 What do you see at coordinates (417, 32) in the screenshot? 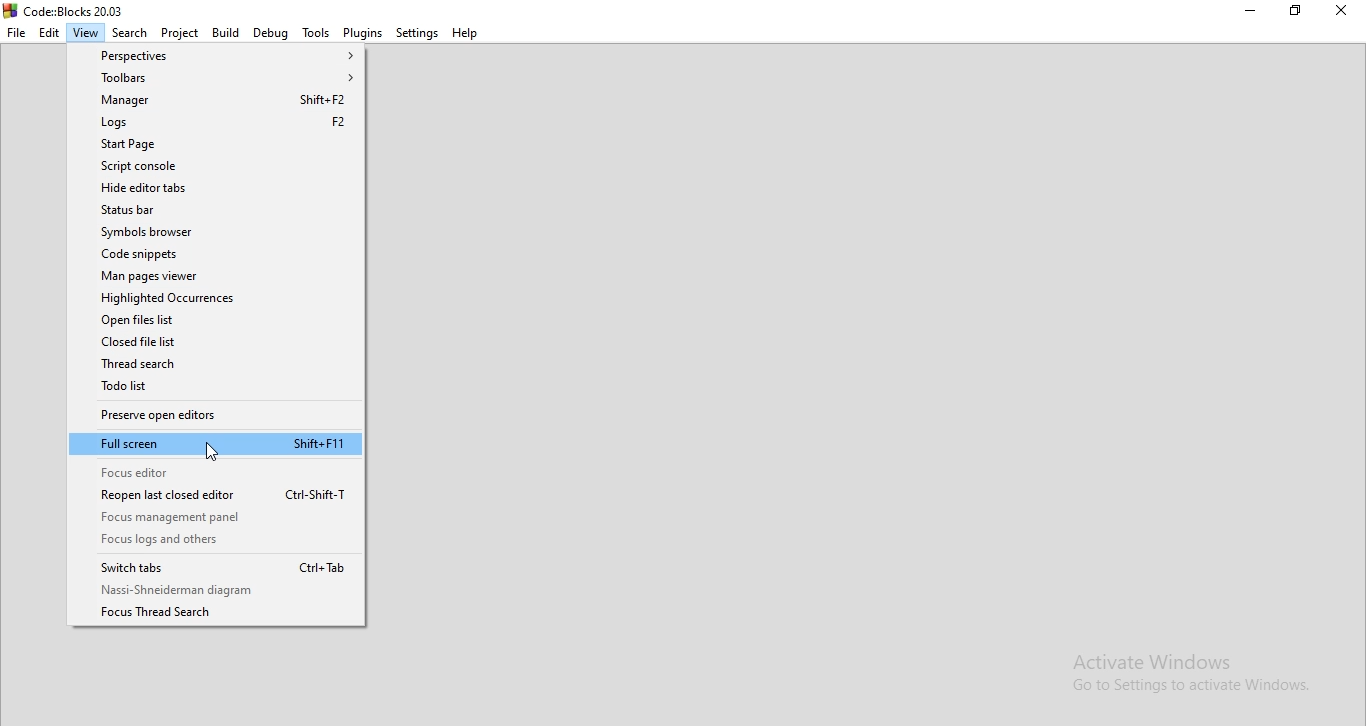
I see `Settings ` at bounding box center [417, 32].